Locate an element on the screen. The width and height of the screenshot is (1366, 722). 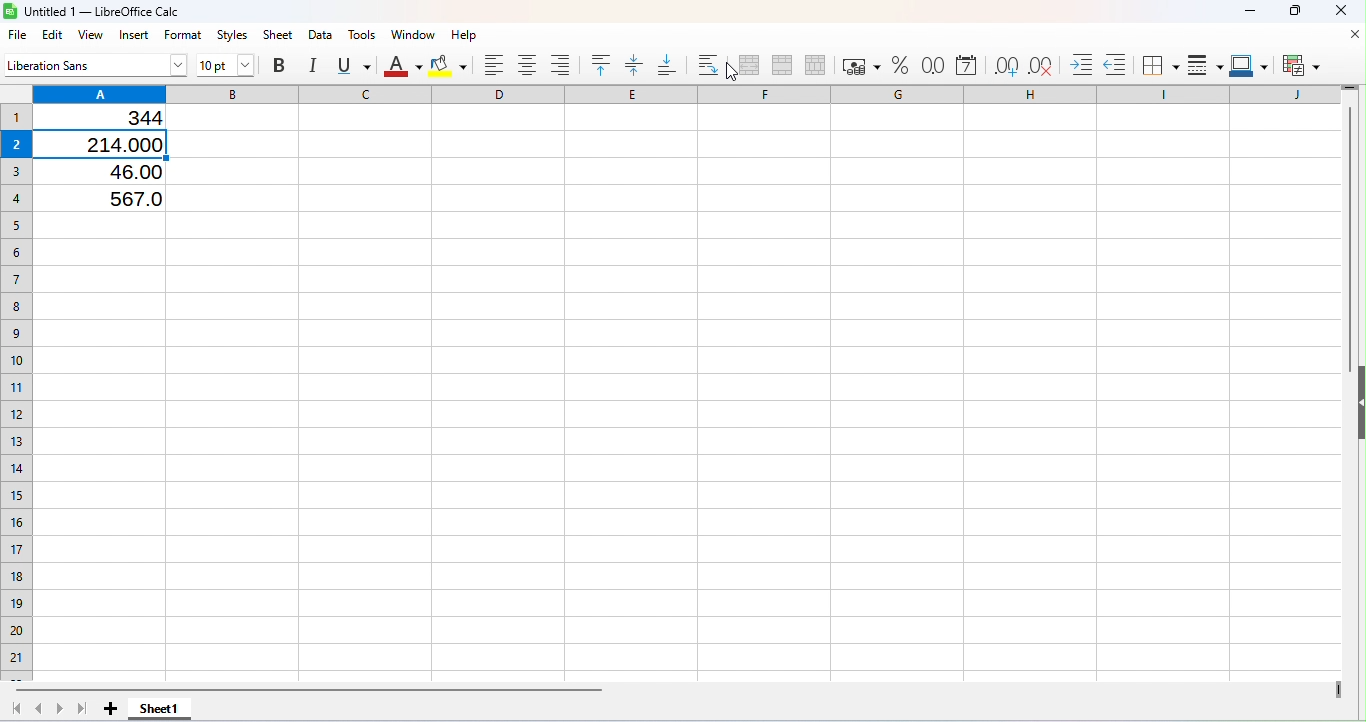
Font color is located at coordinates (404, 66).